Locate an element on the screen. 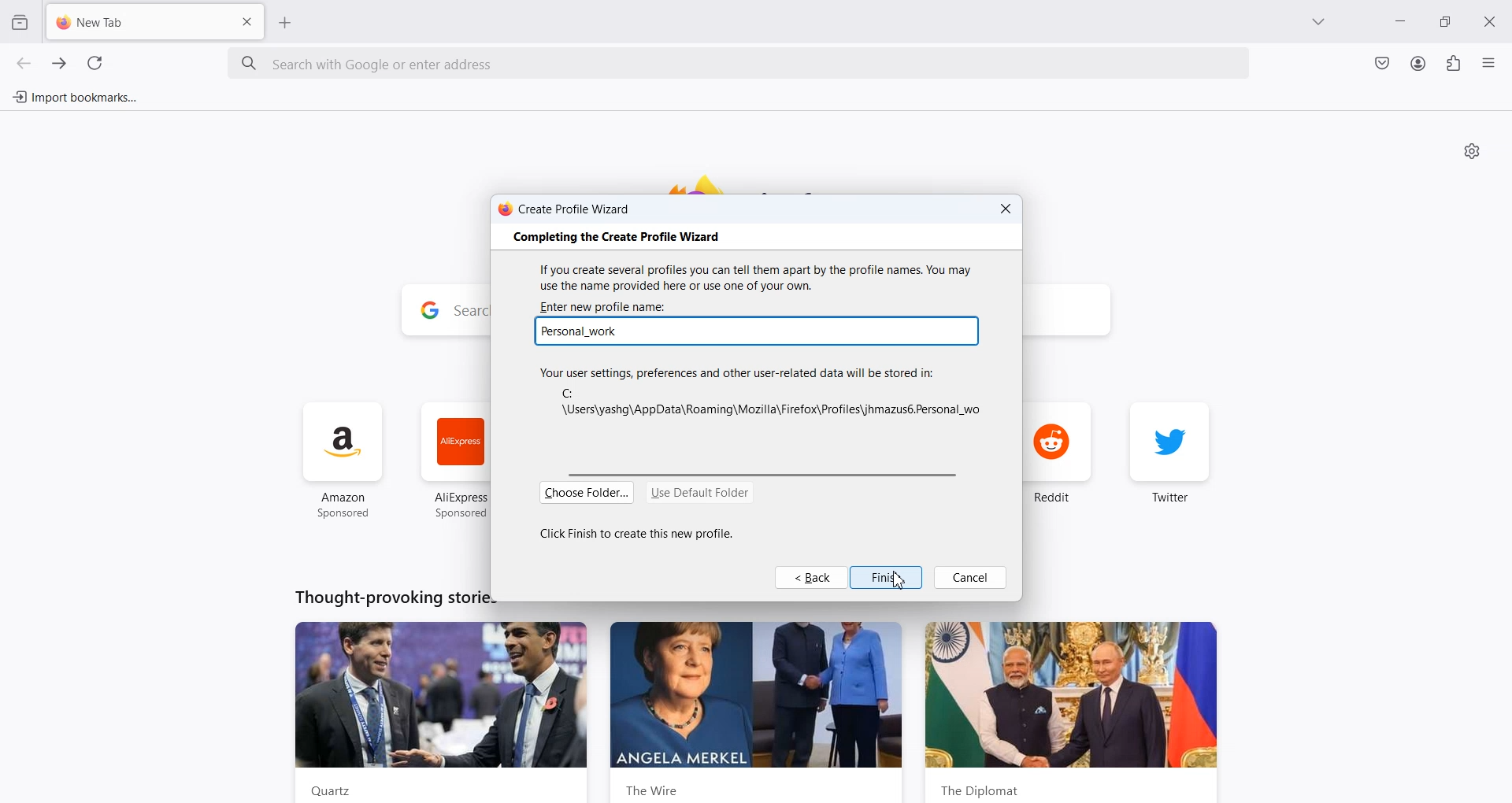 The height and width of the screenshot is (803, 1512). Extensions is located at coordinates (1453, 64).